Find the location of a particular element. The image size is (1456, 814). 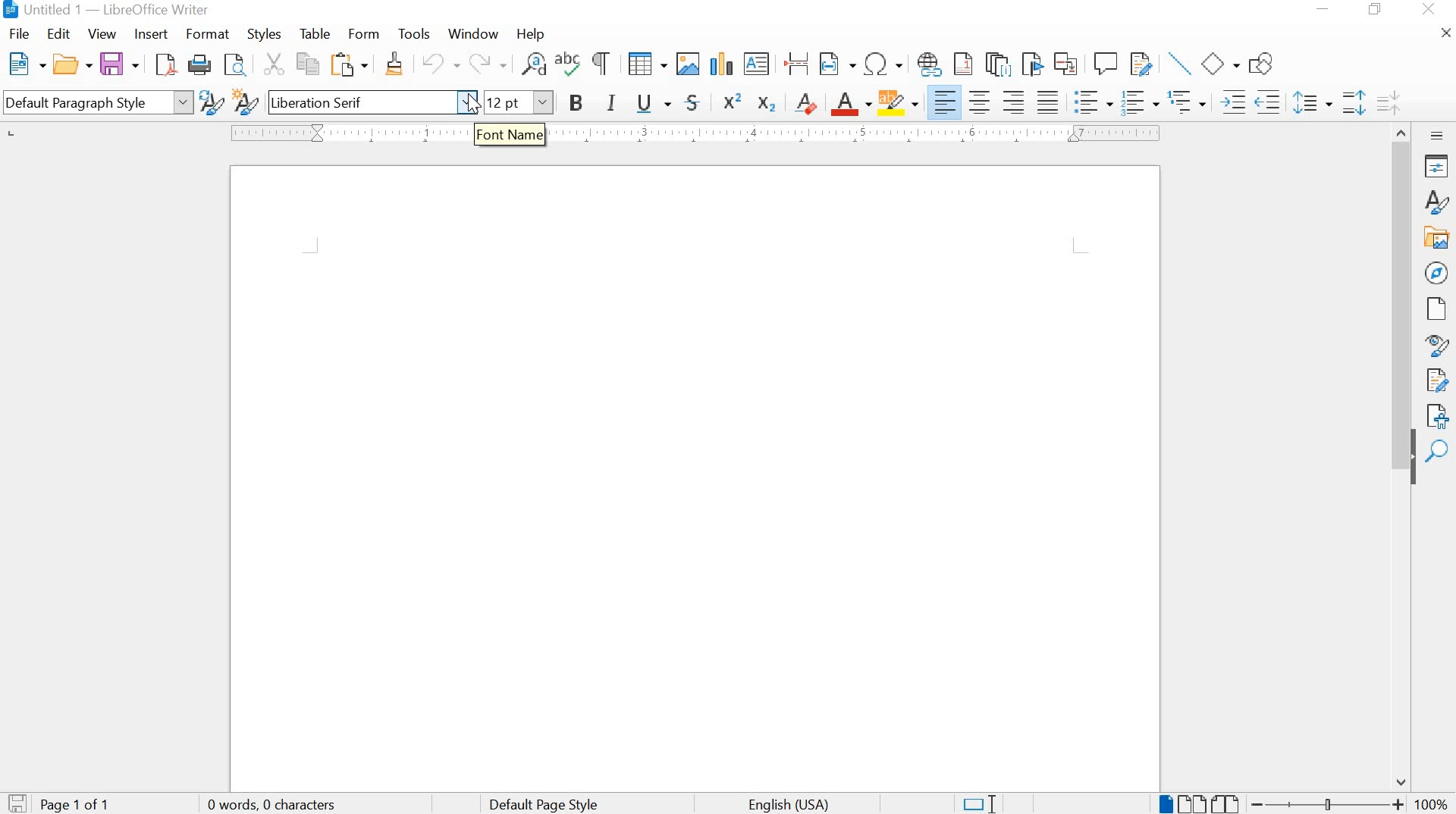

SAVE is located at coordinates (118, 64).